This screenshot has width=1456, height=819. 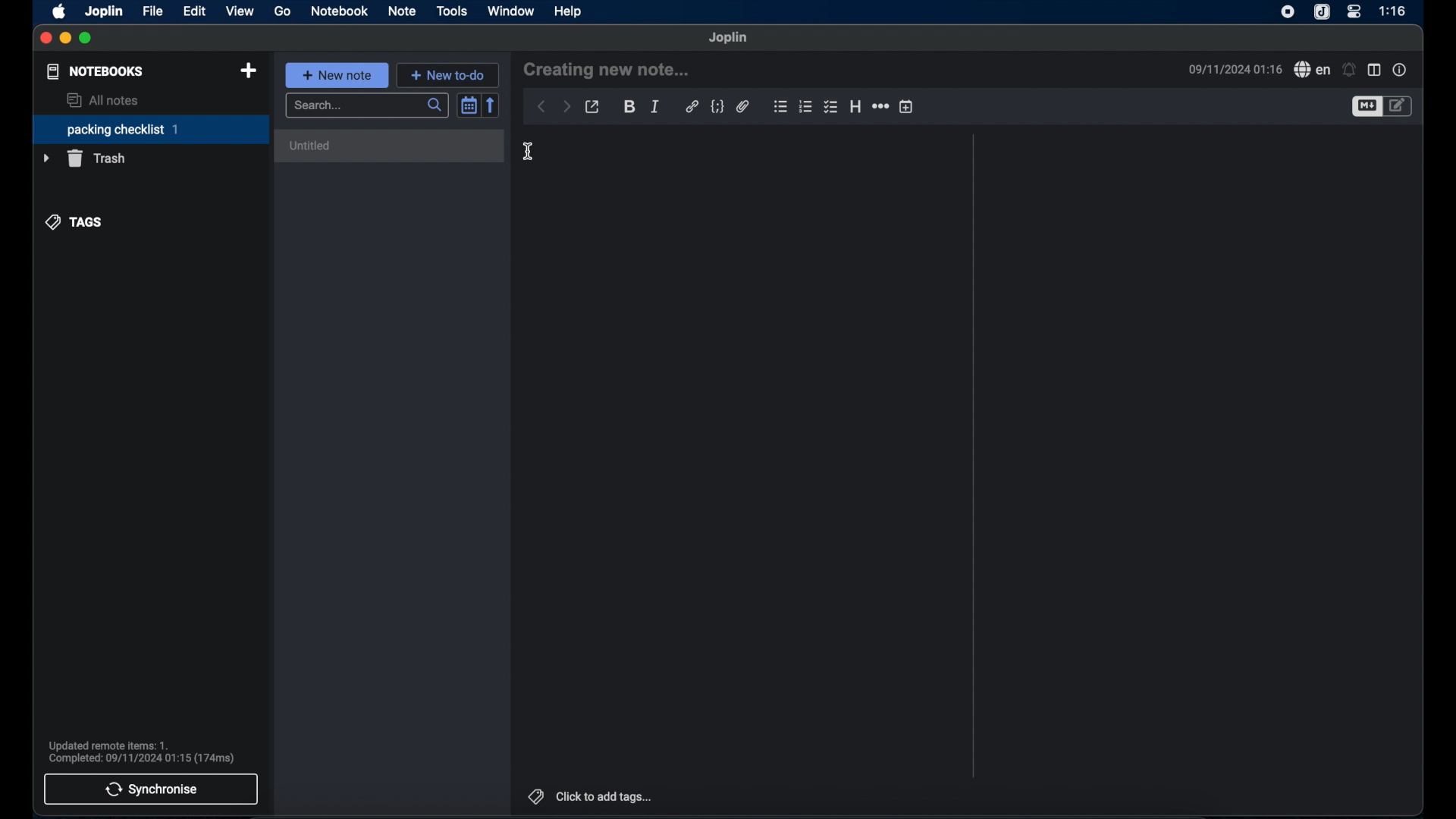 I want to click on notebooks, so click(x=95, y=71).